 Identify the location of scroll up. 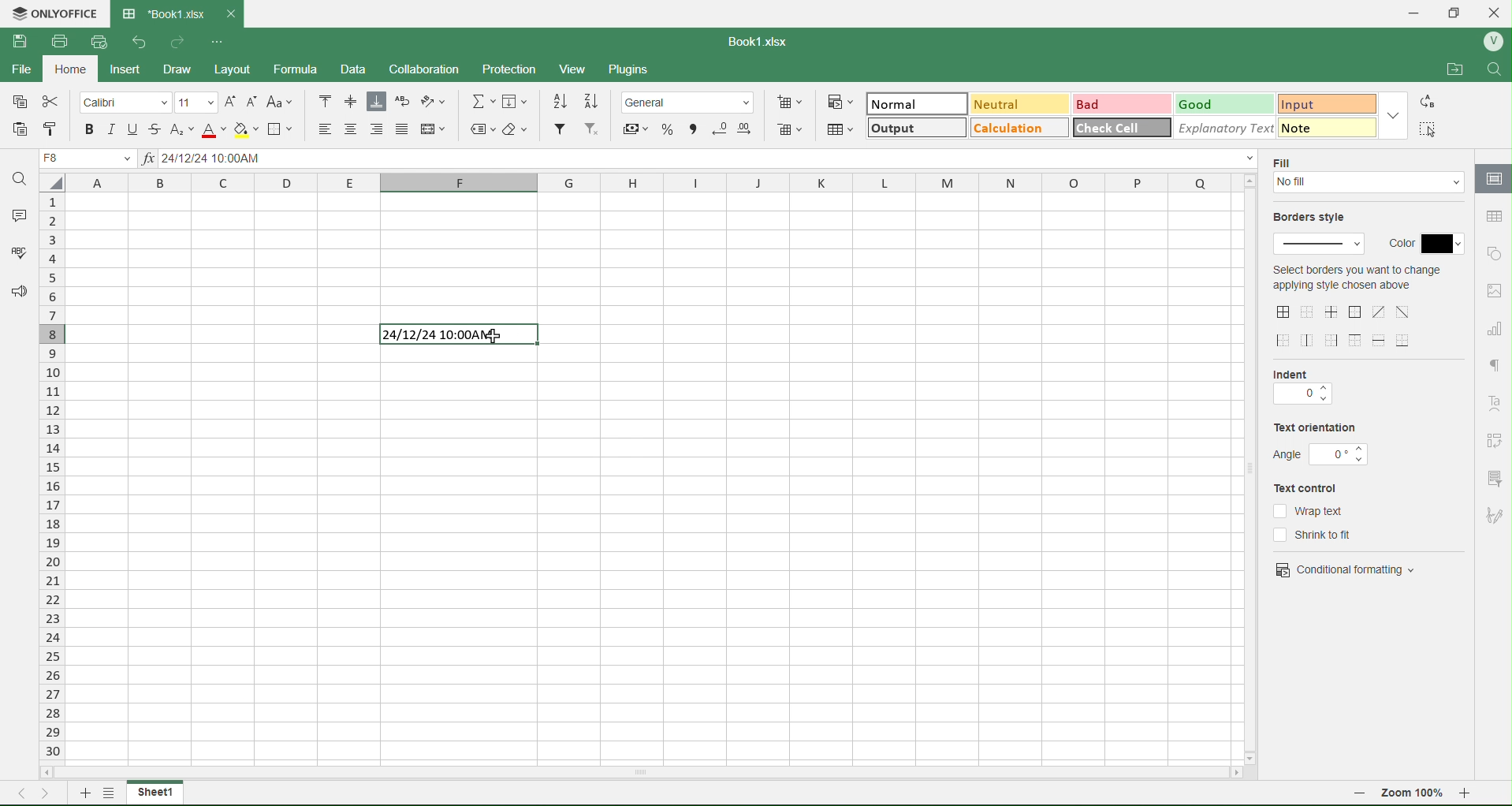
(1248, 181).